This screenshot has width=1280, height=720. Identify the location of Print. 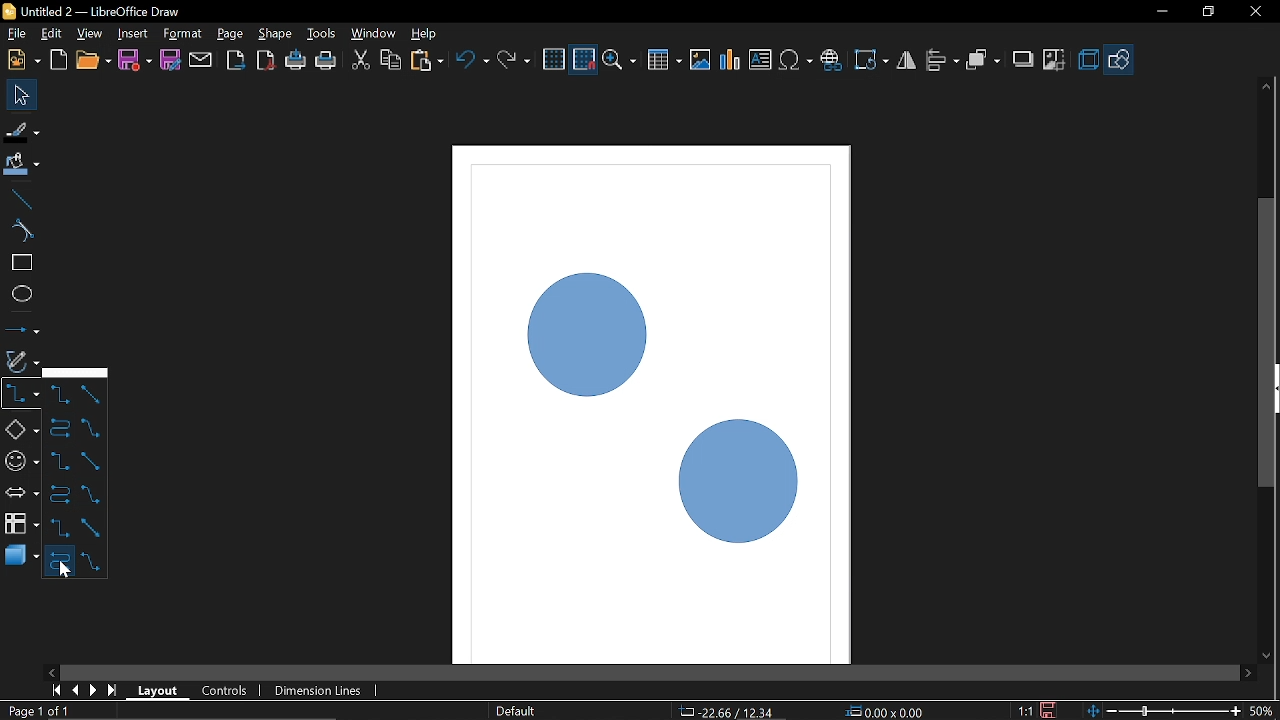
(326, 60).